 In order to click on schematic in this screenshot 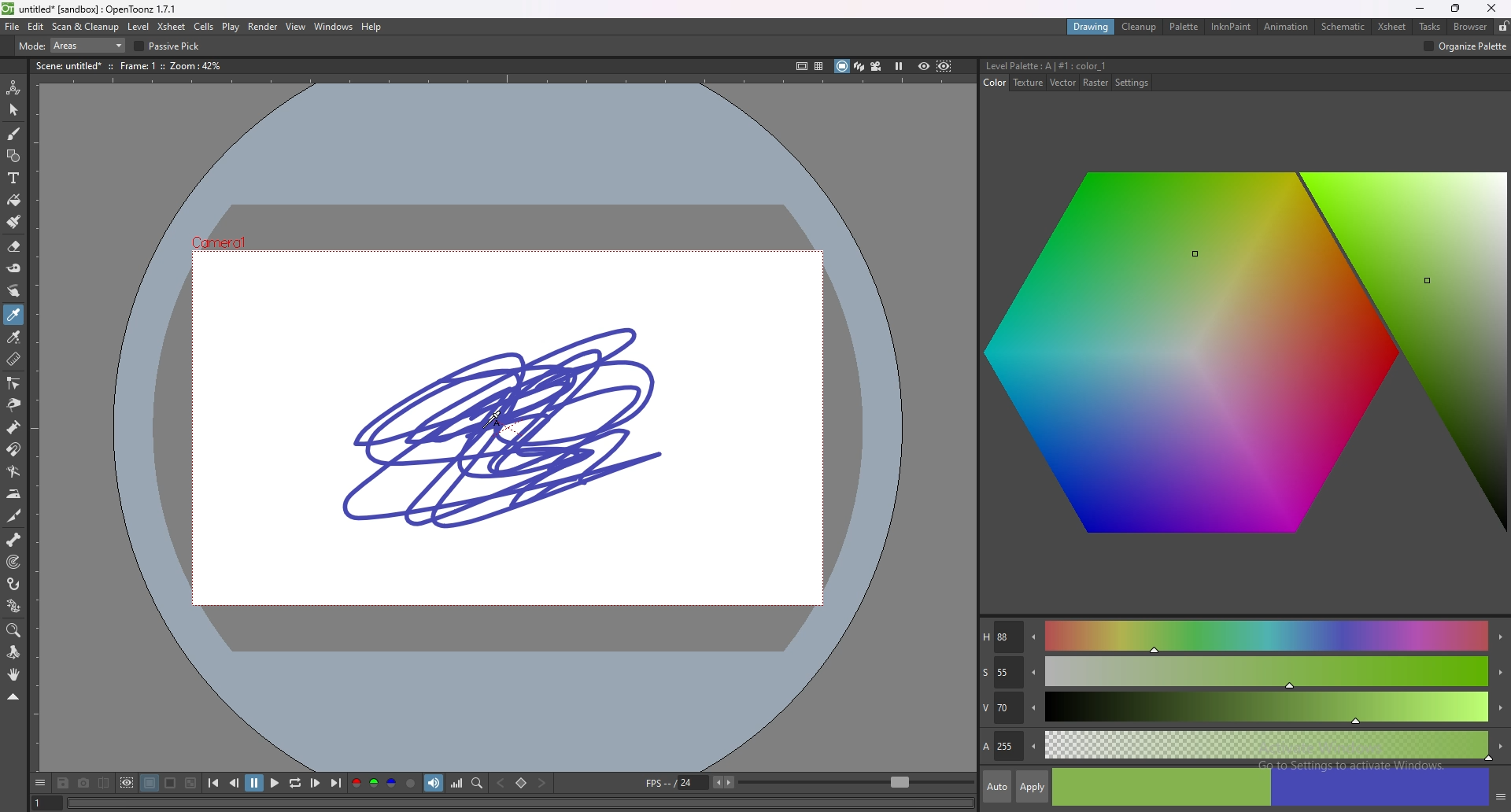, I will do `click(1344, 25)`.